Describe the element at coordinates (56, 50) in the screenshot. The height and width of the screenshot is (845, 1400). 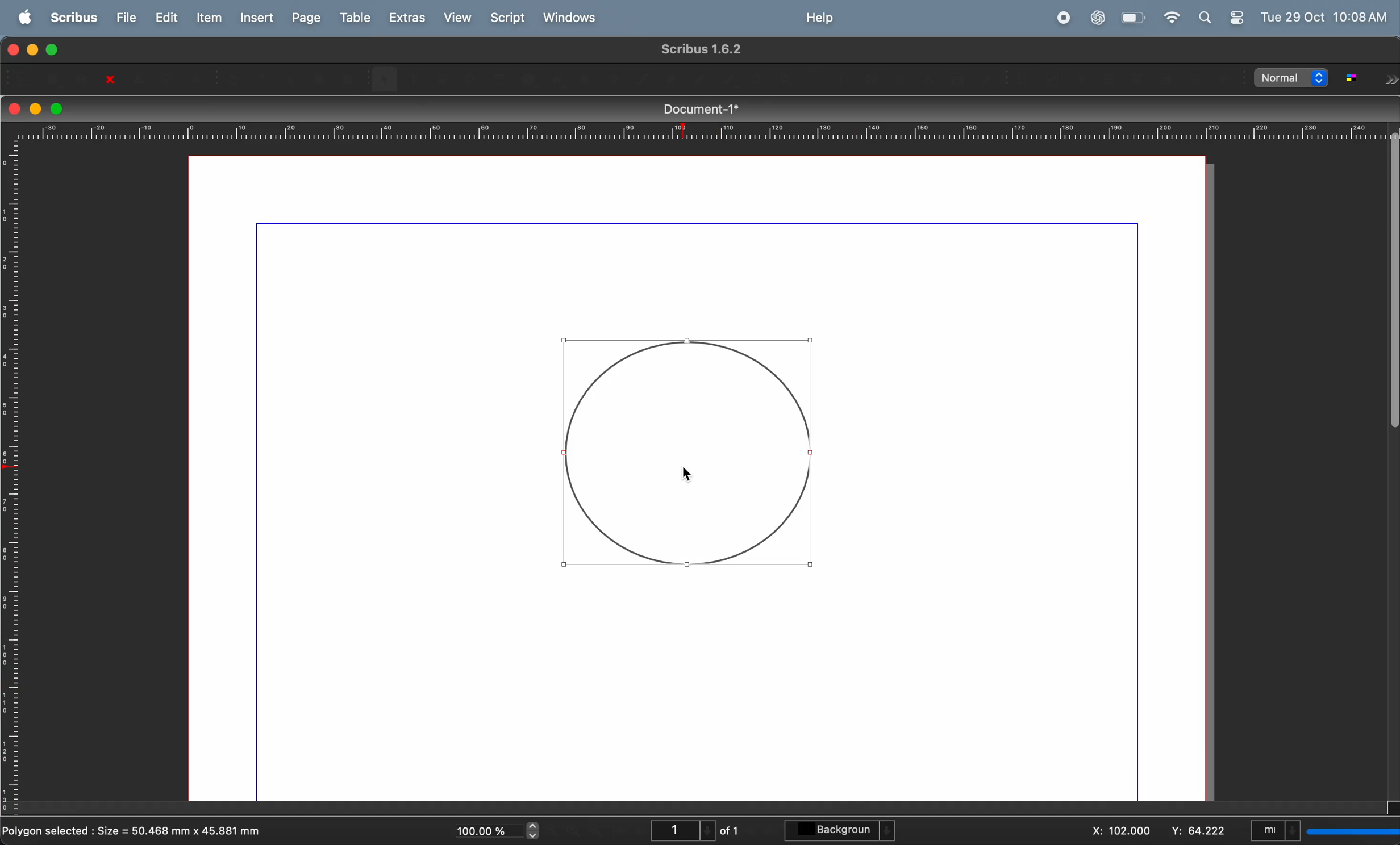
I see `maximize` at that location.